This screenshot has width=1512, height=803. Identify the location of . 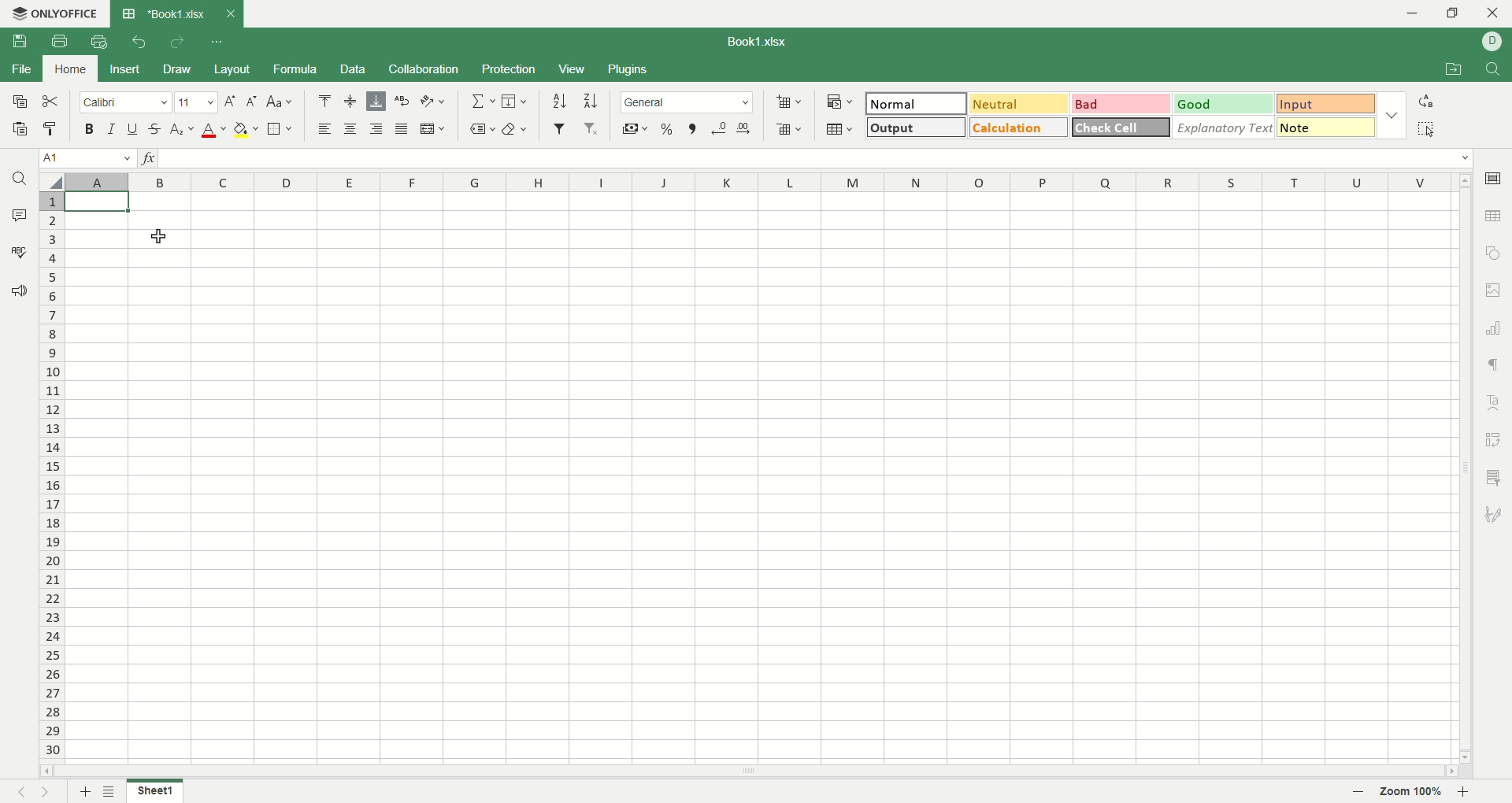
(571, 70).